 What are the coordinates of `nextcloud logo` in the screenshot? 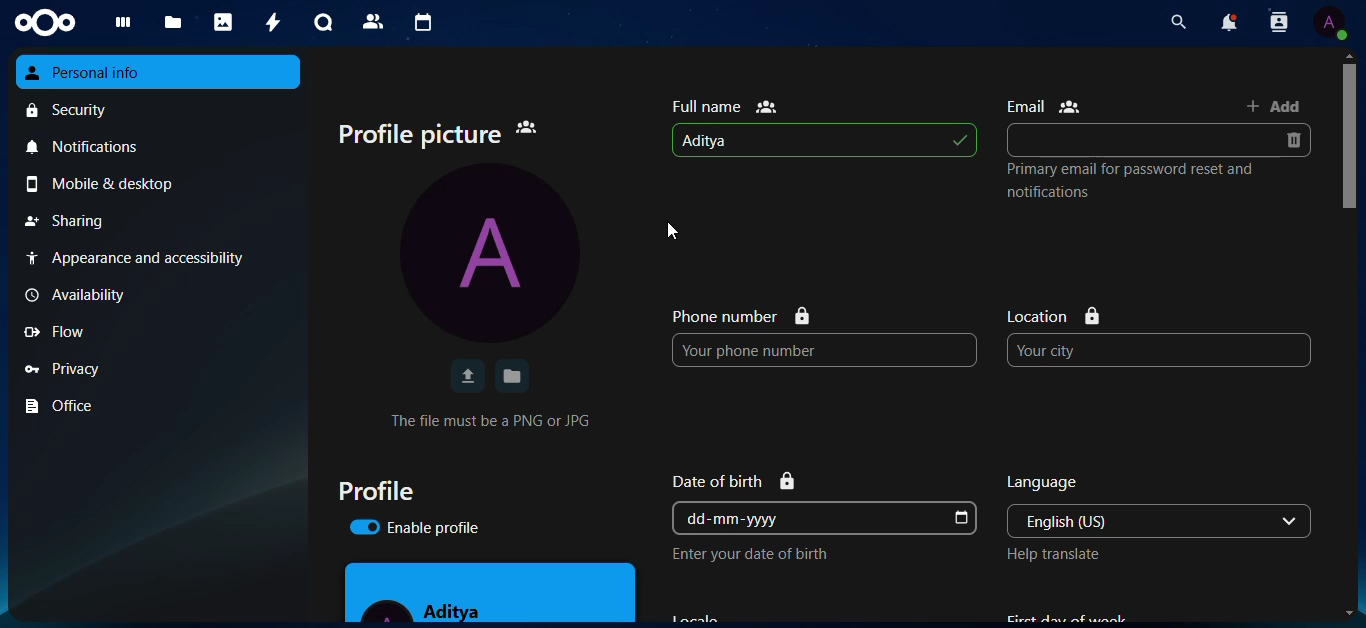 It's located at (45, 23).